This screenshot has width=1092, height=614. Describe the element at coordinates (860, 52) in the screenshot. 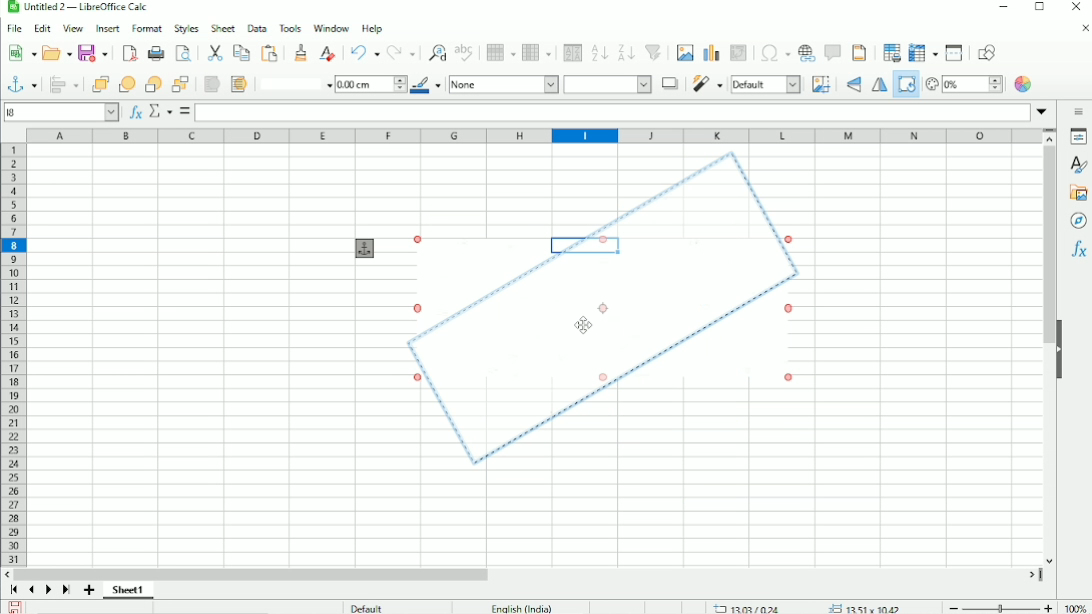

I see `Headers and footers` at that location.